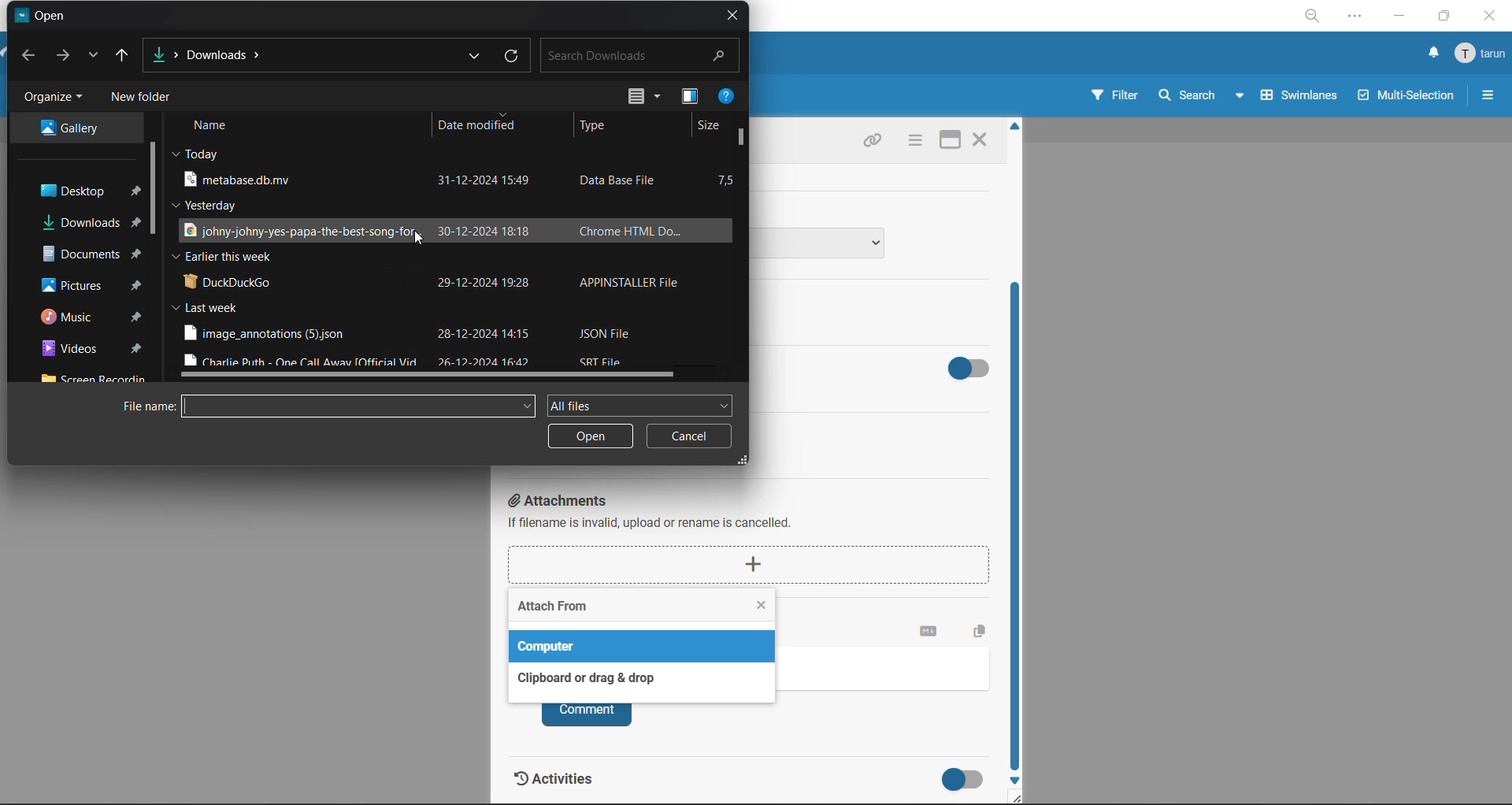 The width and height of the screenshot is (1512, 805). What do you see at coordinates (601, 127) in the screenshot?
I see `type` at bounding box center [601, 127].